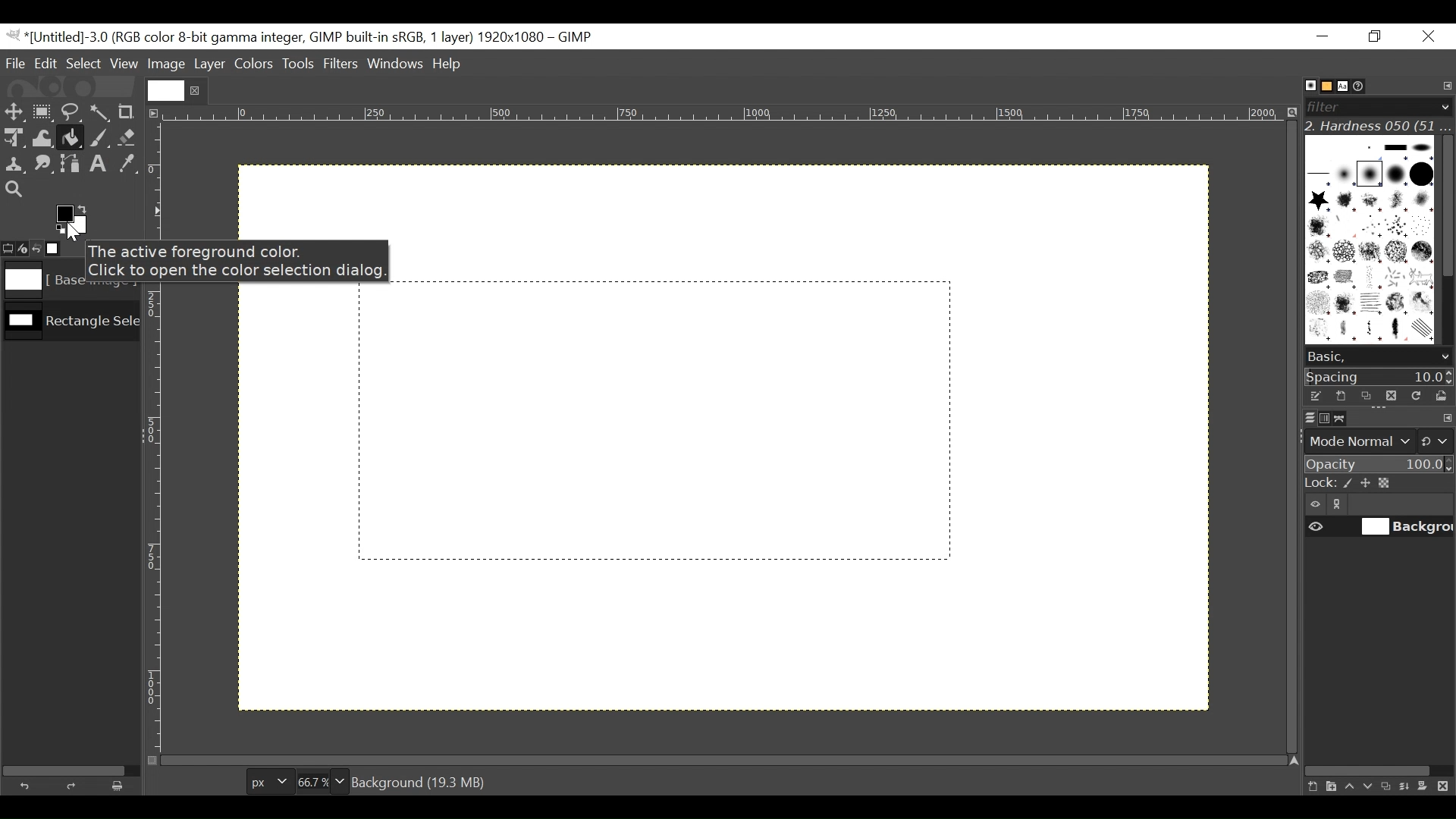  Describe the element at coordinates (124, 64) in the screenshot. I see `View` at that location.